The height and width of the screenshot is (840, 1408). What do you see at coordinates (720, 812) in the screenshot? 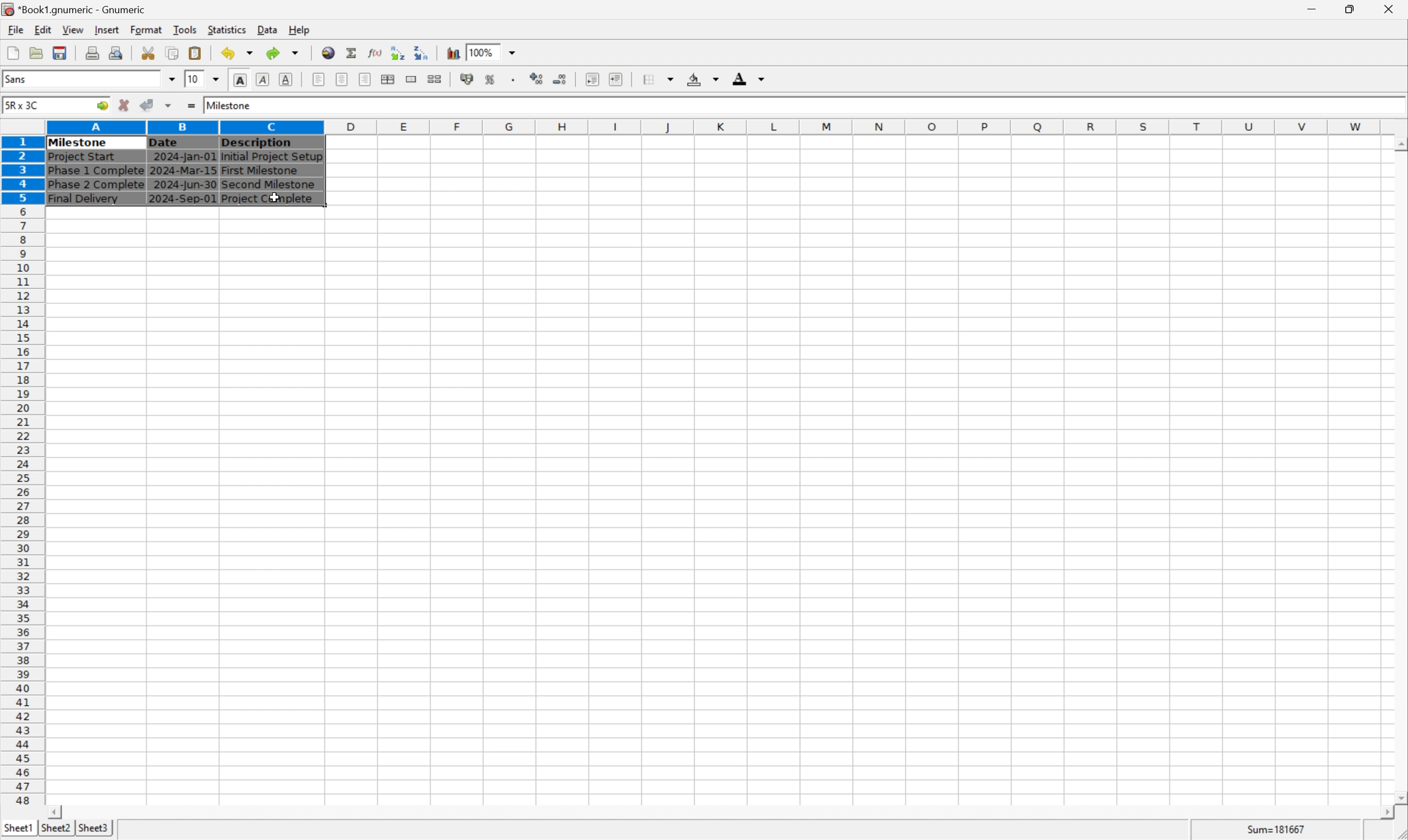
I see `scroll bar` at bounding box center [720, 812].